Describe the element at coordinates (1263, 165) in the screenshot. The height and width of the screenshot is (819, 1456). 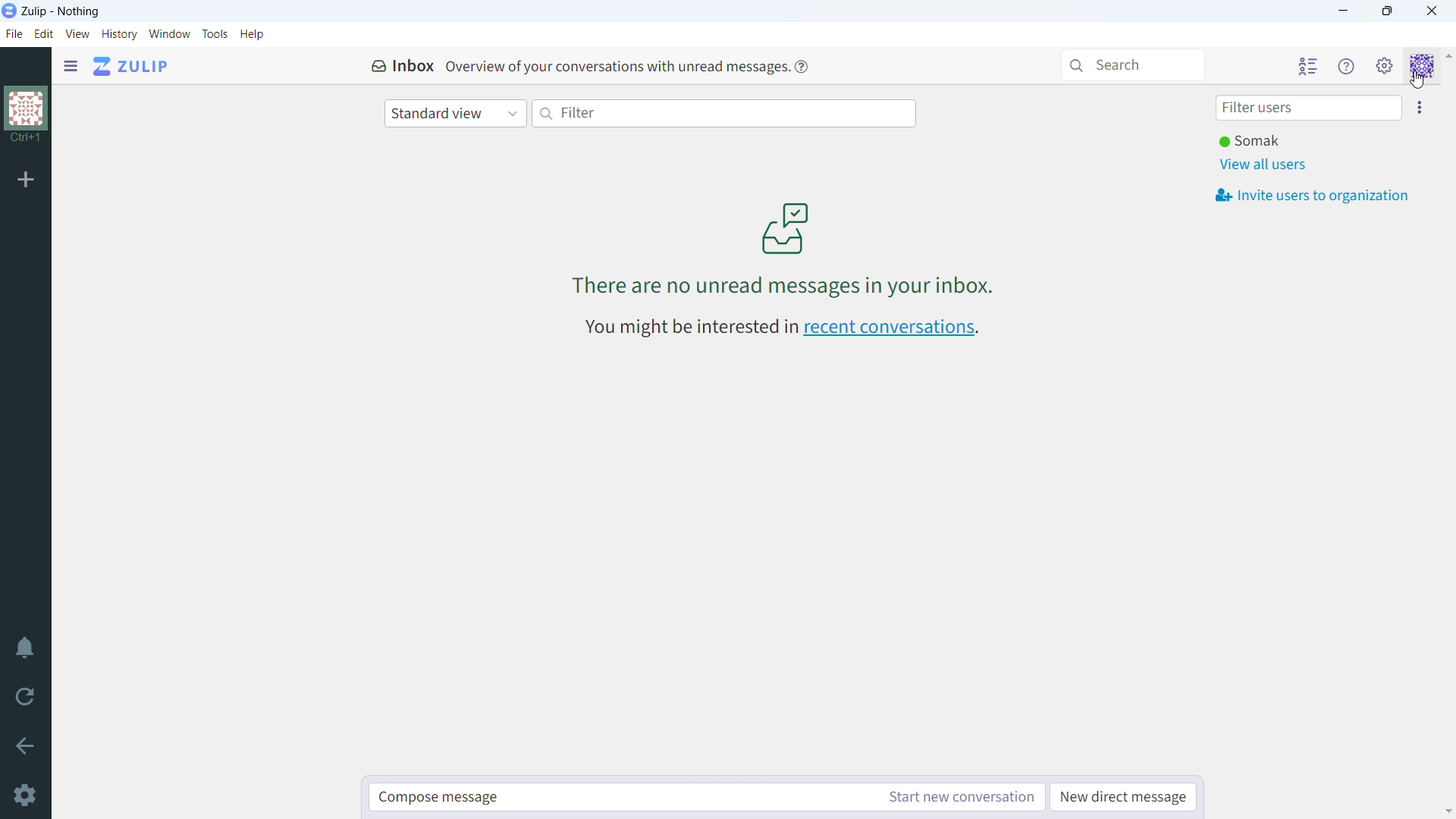
I see `view all users` at that location.